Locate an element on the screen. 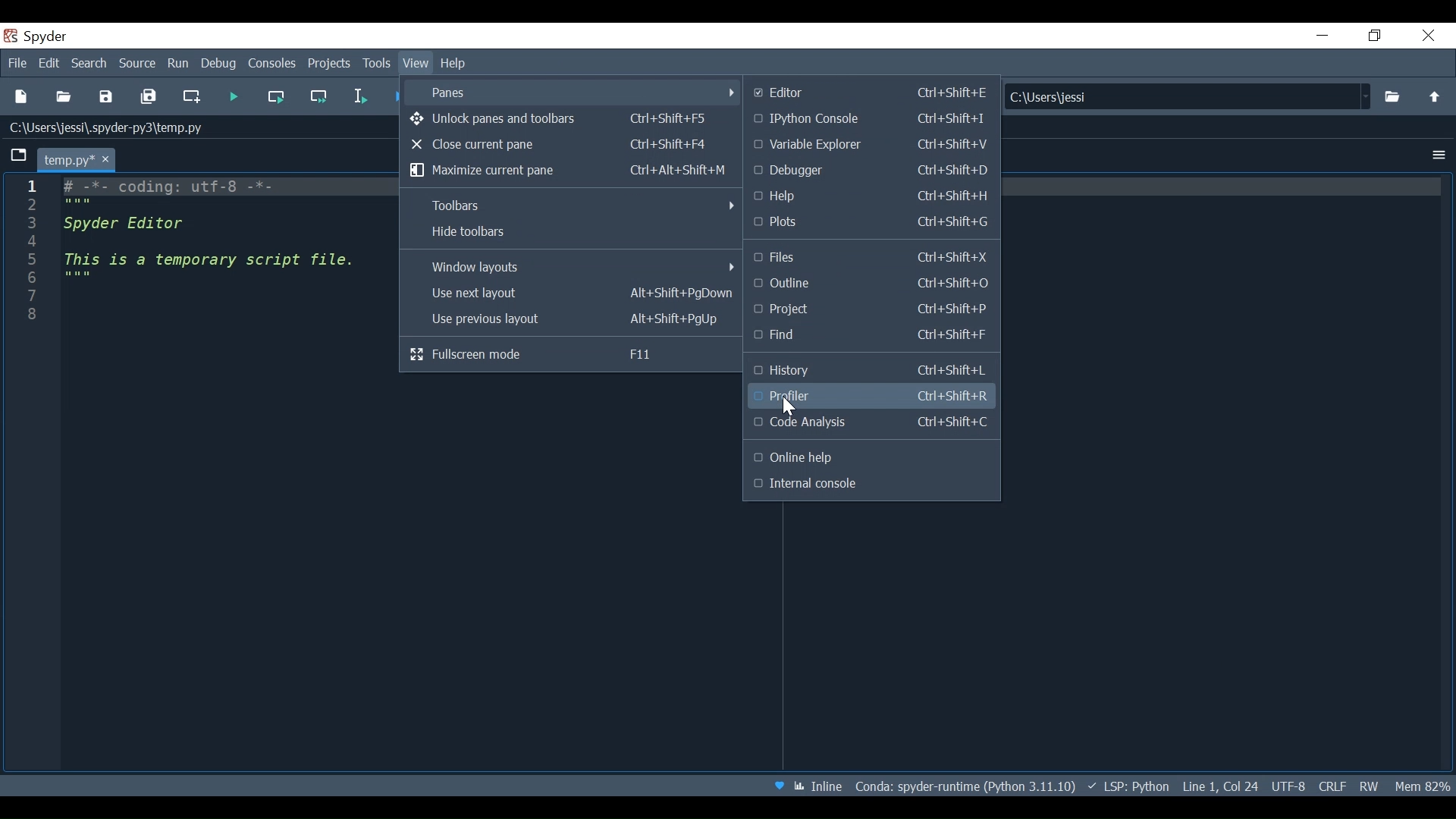 The height and width of the screenshot is (819, 1456). Close current pane is located at coordinates (561, 145).